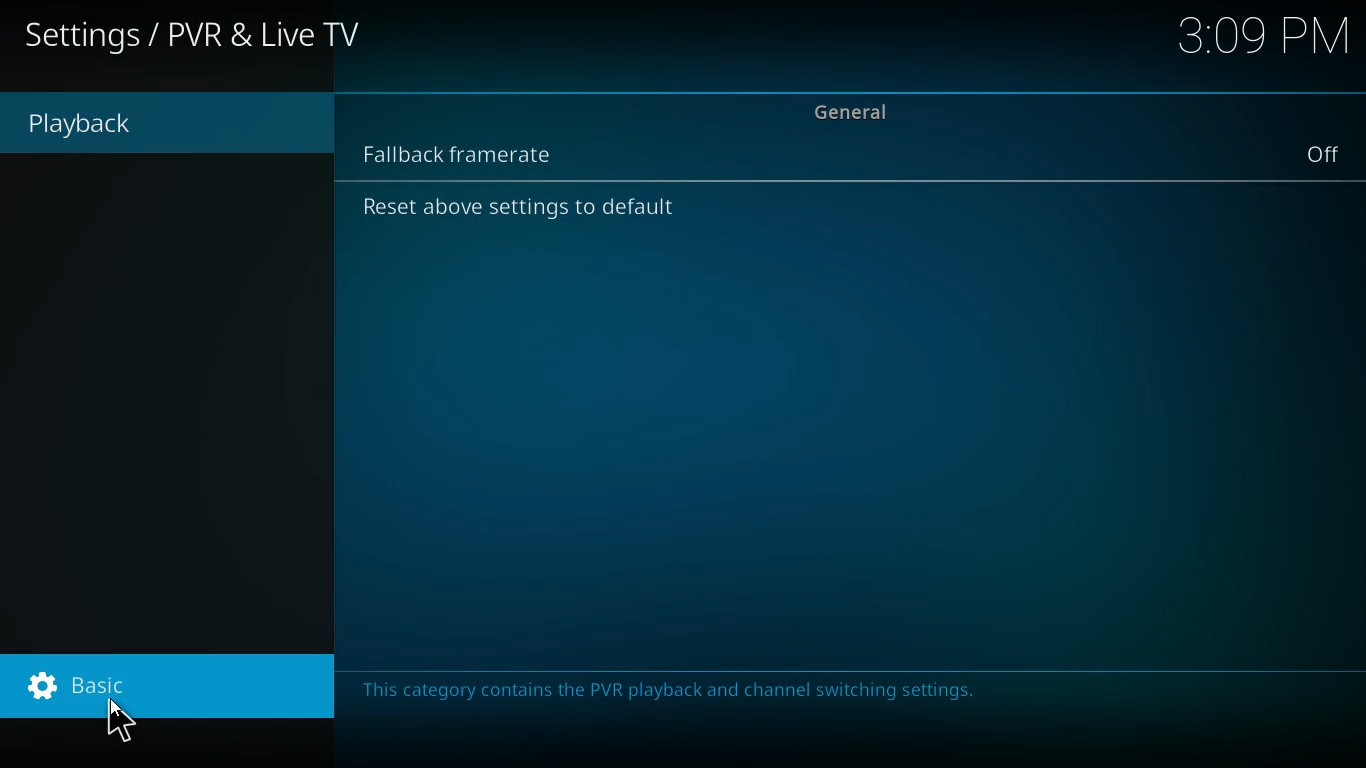  I want to click on cursor, so click(121, 719).